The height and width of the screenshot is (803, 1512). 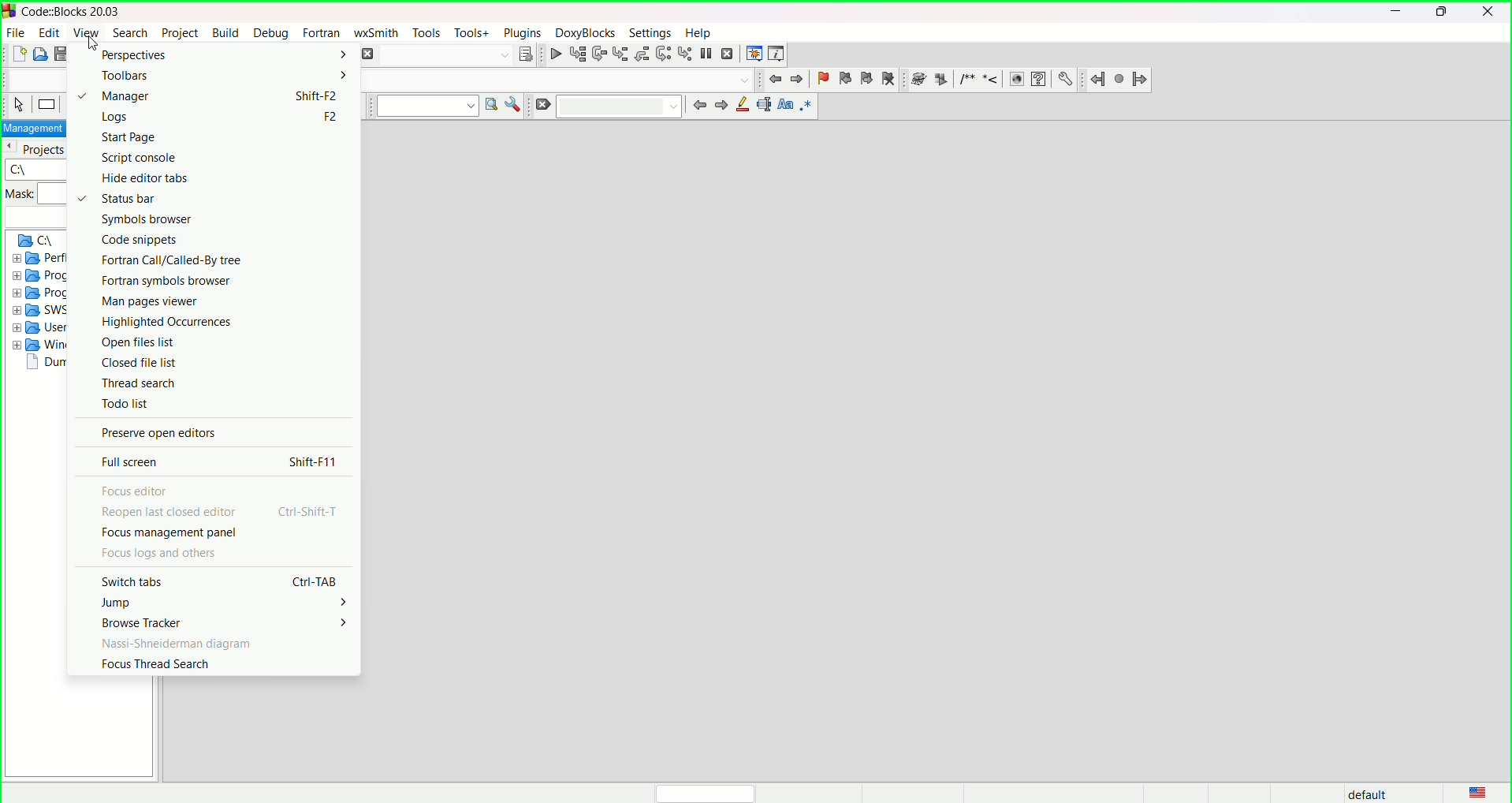 What do you see at coordinates (136, 491) in the screenshot?
I see `focus editor` at bounding box center [136, 491].